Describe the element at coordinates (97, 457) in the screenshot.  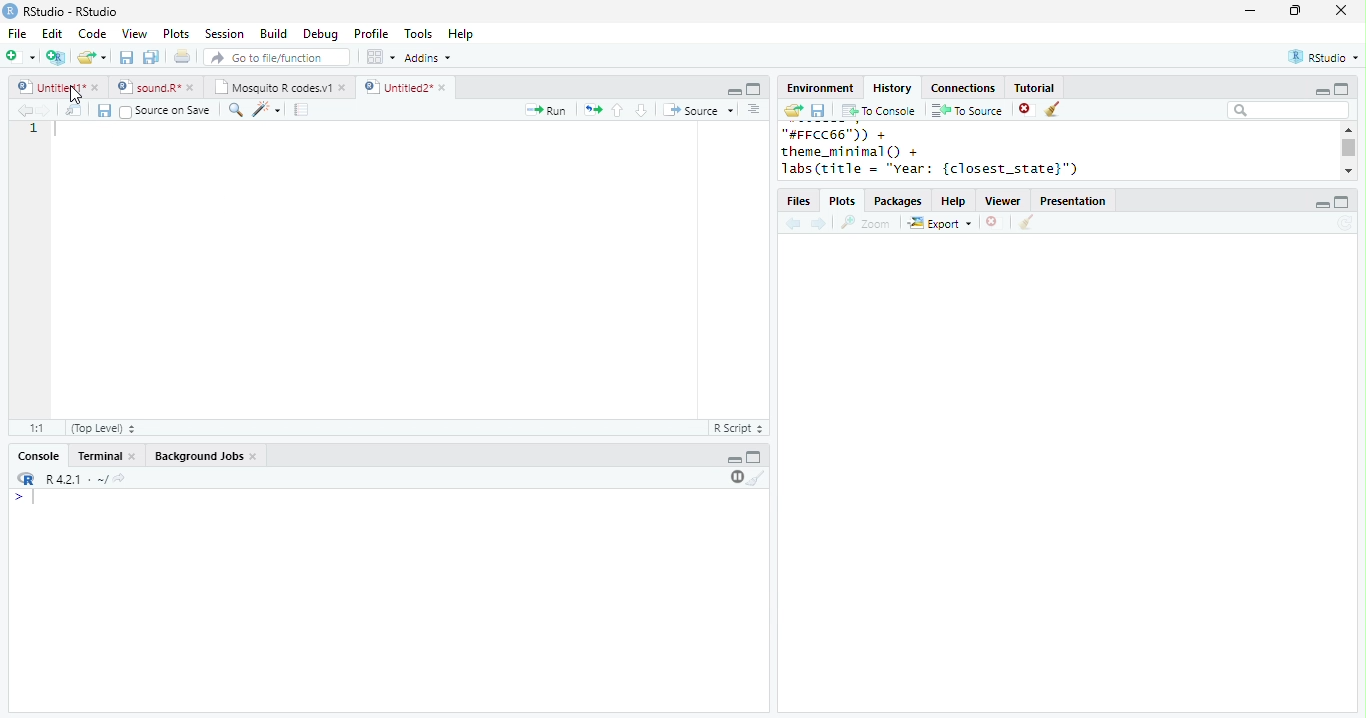
I see `terminal` at that location.